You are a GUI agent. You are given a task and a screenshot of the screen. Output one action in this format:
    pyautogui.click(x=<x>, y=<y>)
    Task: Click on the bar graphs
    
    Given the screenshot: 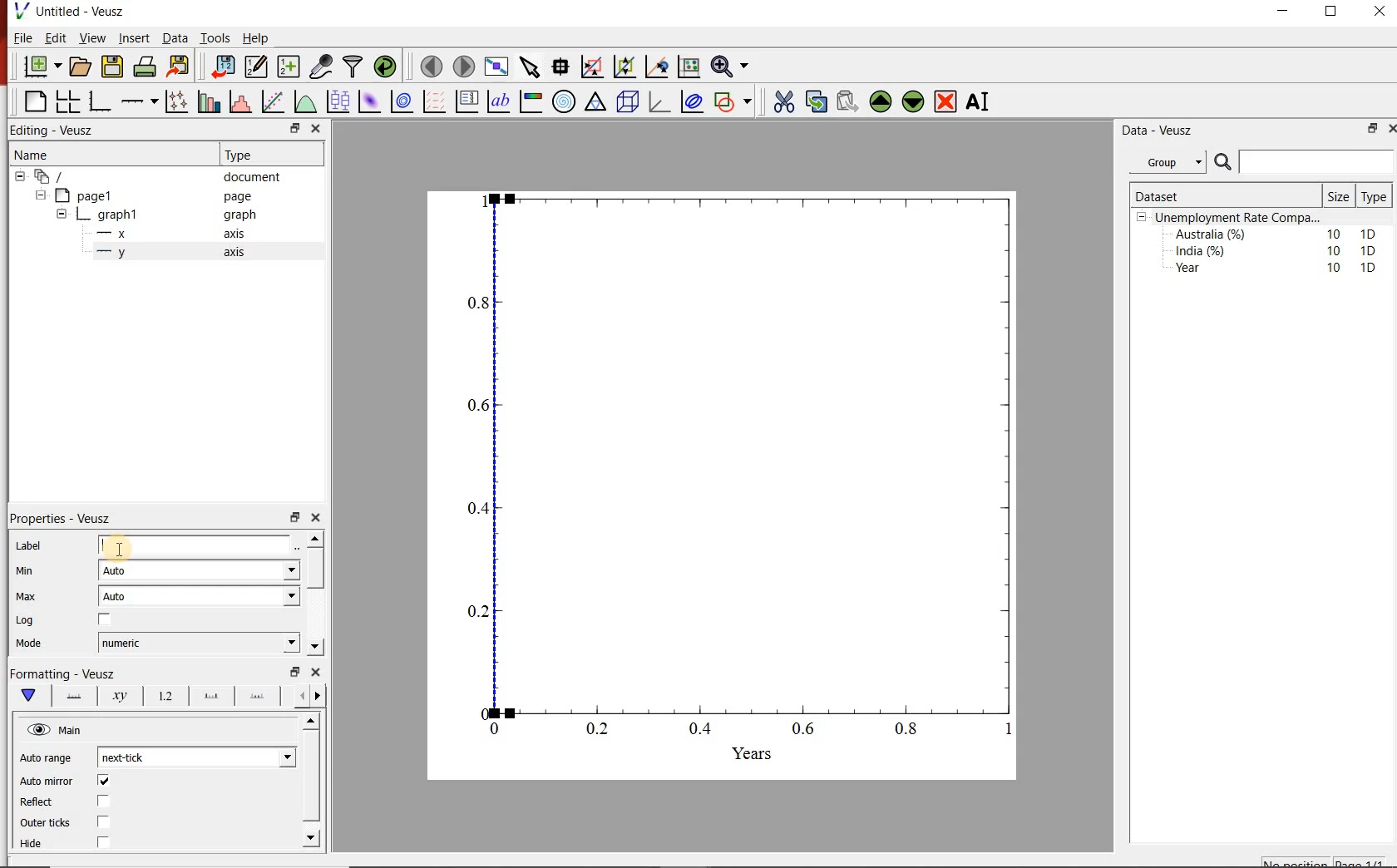 What is the action you would take?
    pyautogui.click(x=207, y=101)
    